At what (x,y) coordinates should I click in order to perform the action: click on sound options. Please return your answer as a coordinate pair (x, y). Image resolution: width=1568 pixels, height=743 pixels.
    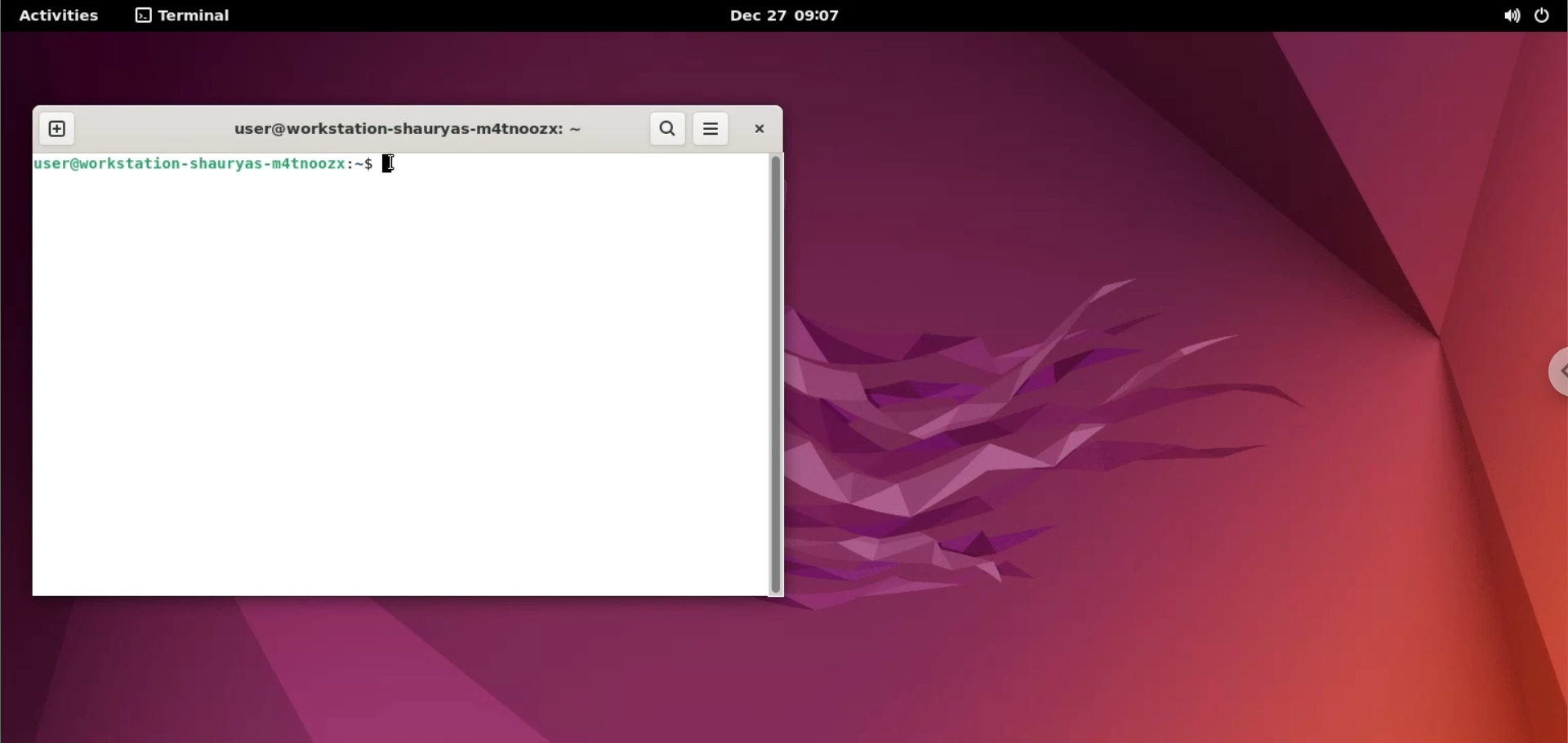
    Looking at the image, I should click on (1508, 16).